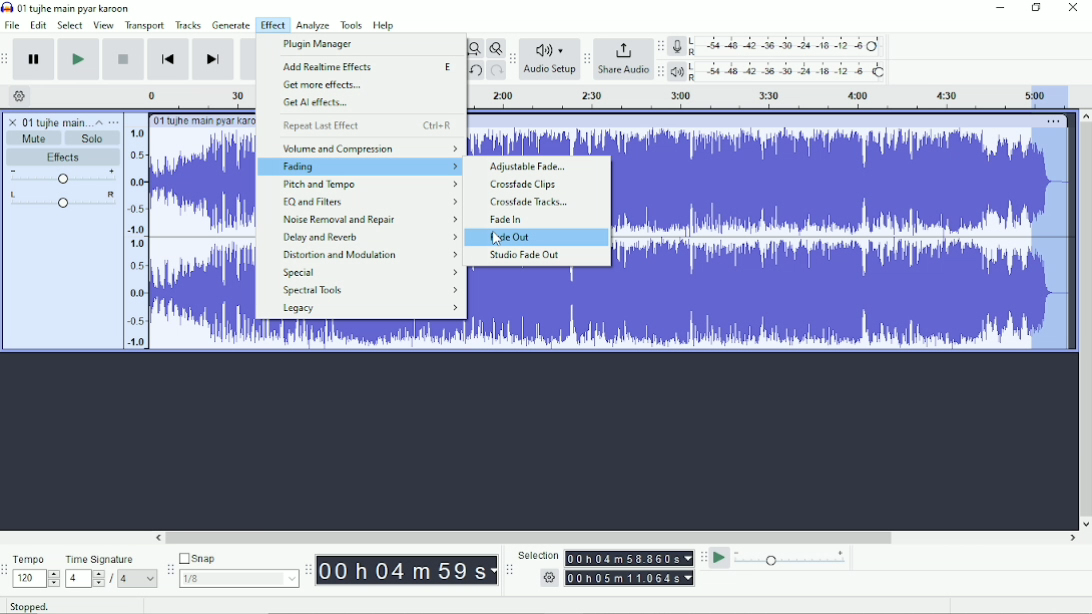 The width and height of the screenshot is (1092, 614). I want to click on Vertical scrollbar, so click(1085, 320).